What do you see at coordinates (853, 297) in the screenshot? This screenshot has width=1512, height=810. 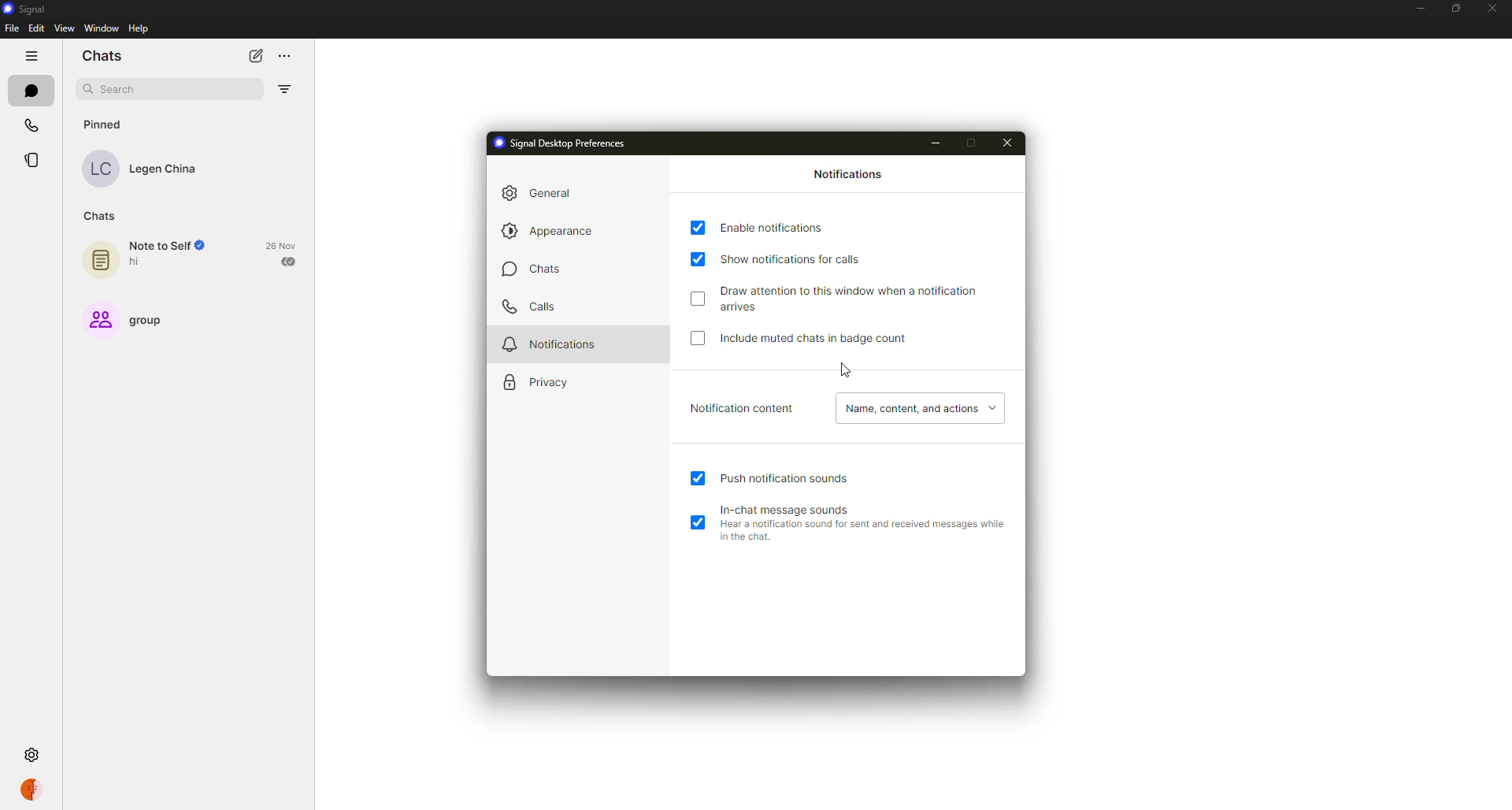 I see `draw attention to this window when notification arrives` at bounding box center [853, 297].